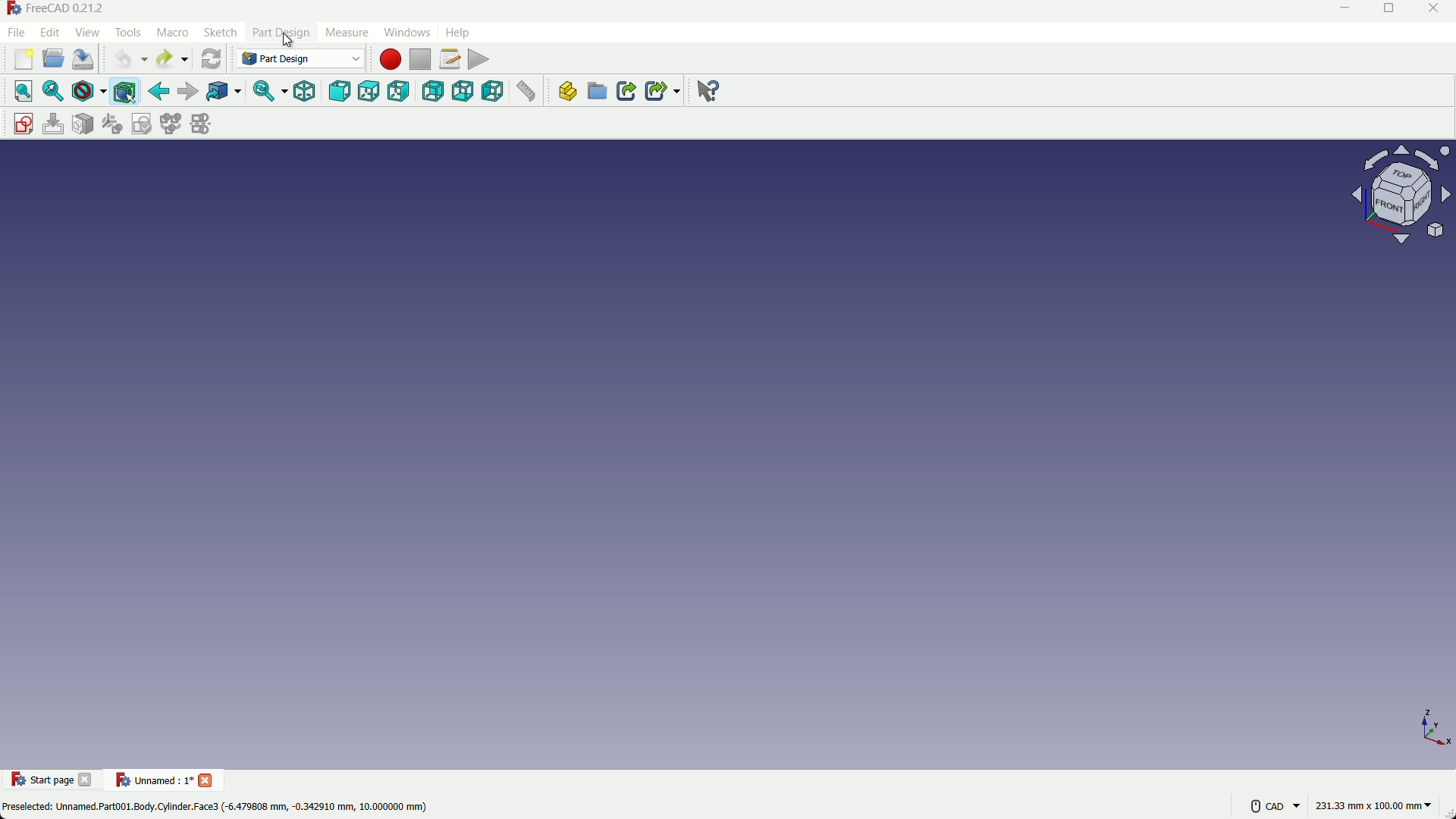 The height and width of the screenshot is (819, 1456). I want to click on refresh, so click(211, 59).